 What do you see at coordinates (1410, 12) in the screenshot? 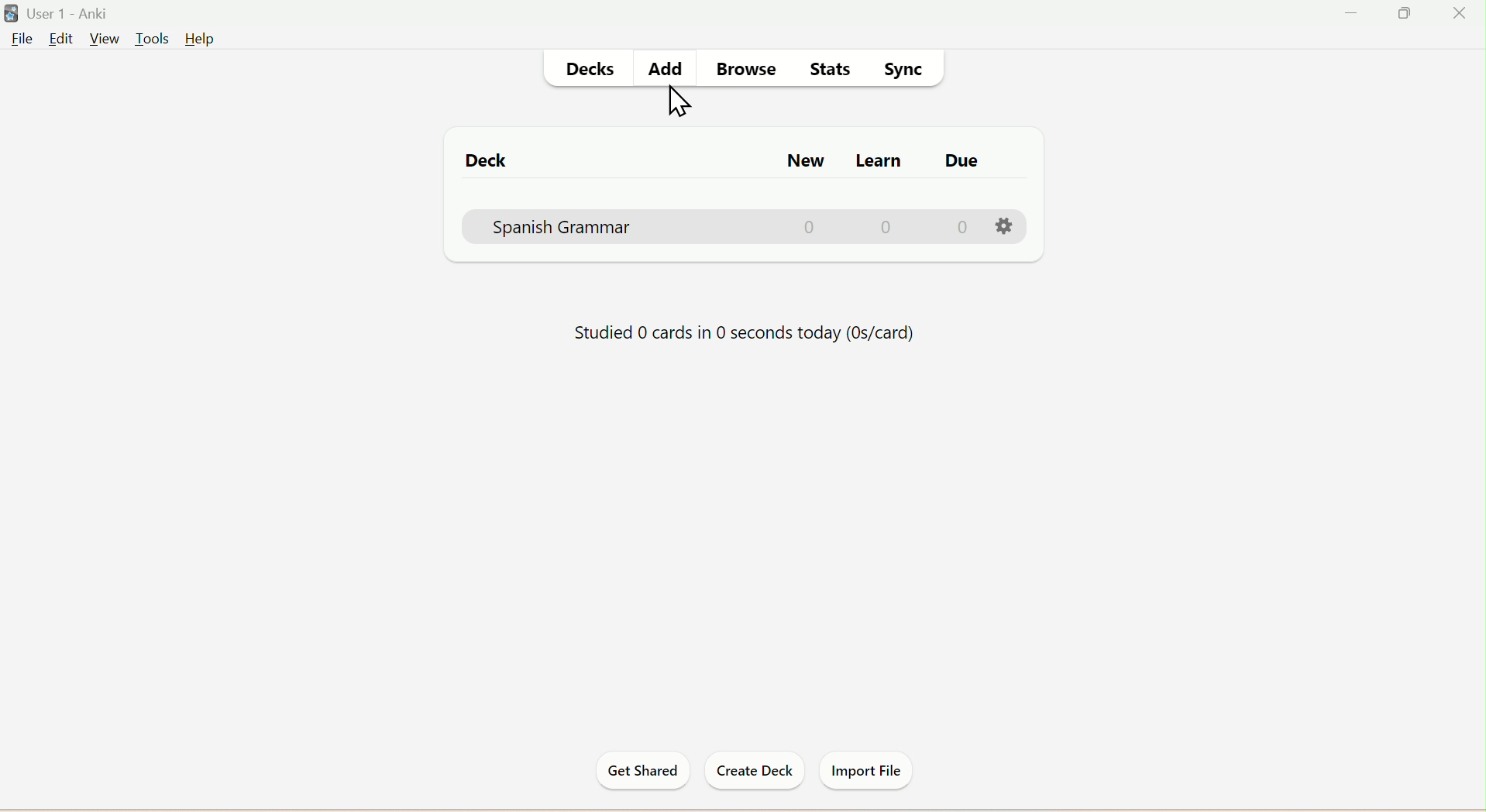
I see `Maximize` at bounding box center [1410, 12].